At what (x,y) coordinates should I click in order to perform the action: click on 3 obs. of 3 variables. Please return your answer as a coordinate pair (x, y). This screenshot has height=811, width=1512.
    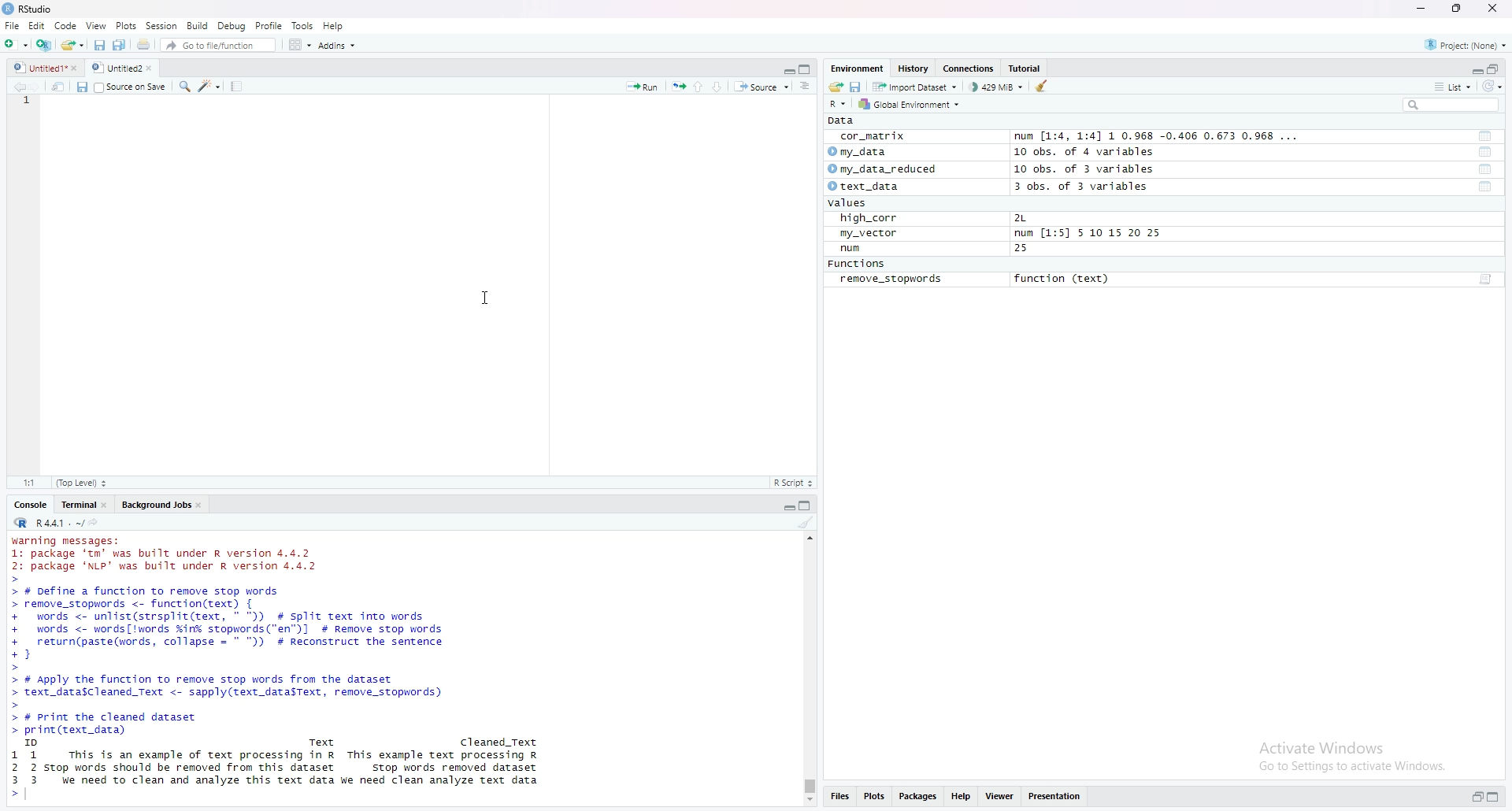
    Looking at the image, I should click on (1082, 187).